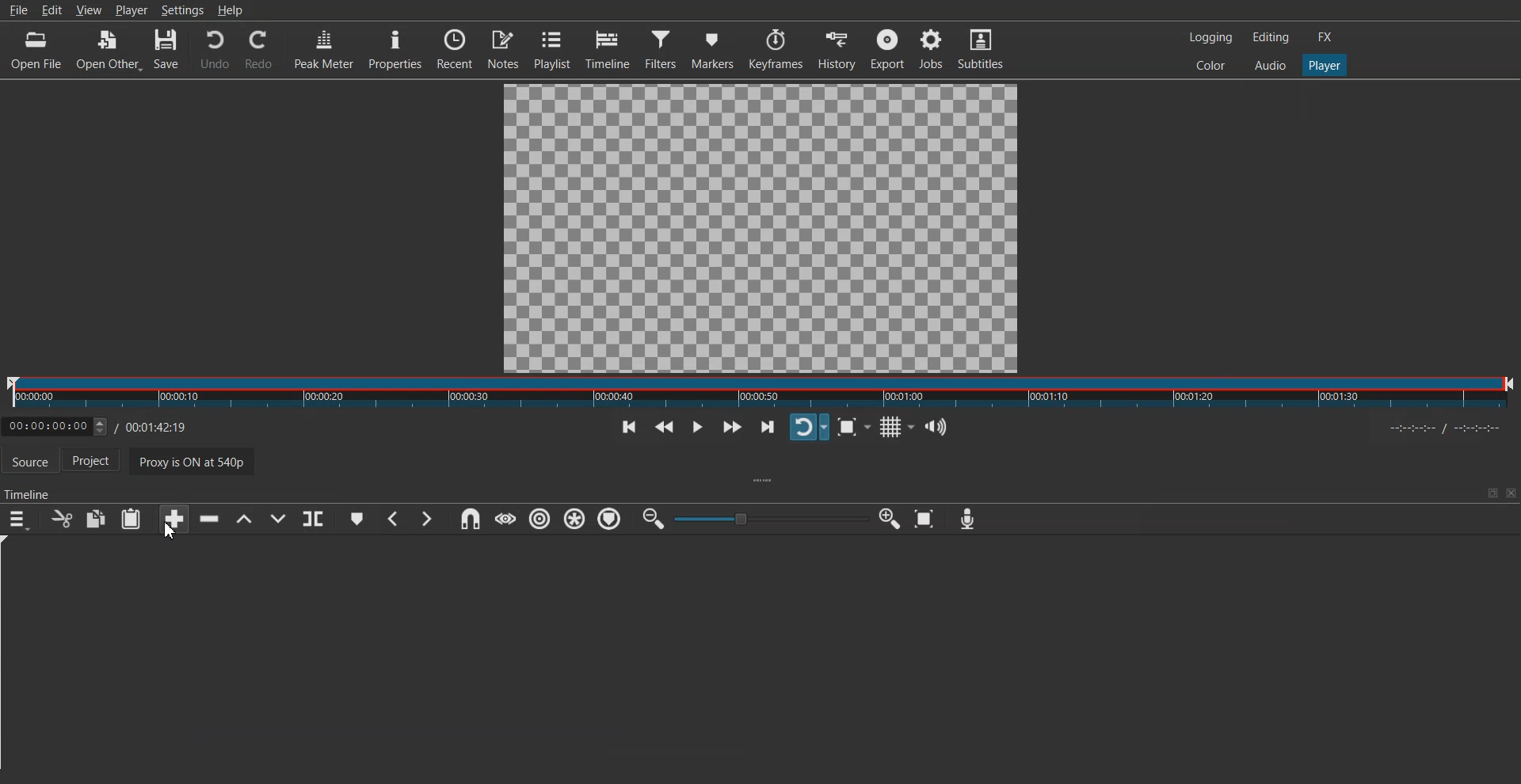  Describe the element at coordinates (894, 428) in the screenshot. I see `Toggle grid display on the player` at that location.